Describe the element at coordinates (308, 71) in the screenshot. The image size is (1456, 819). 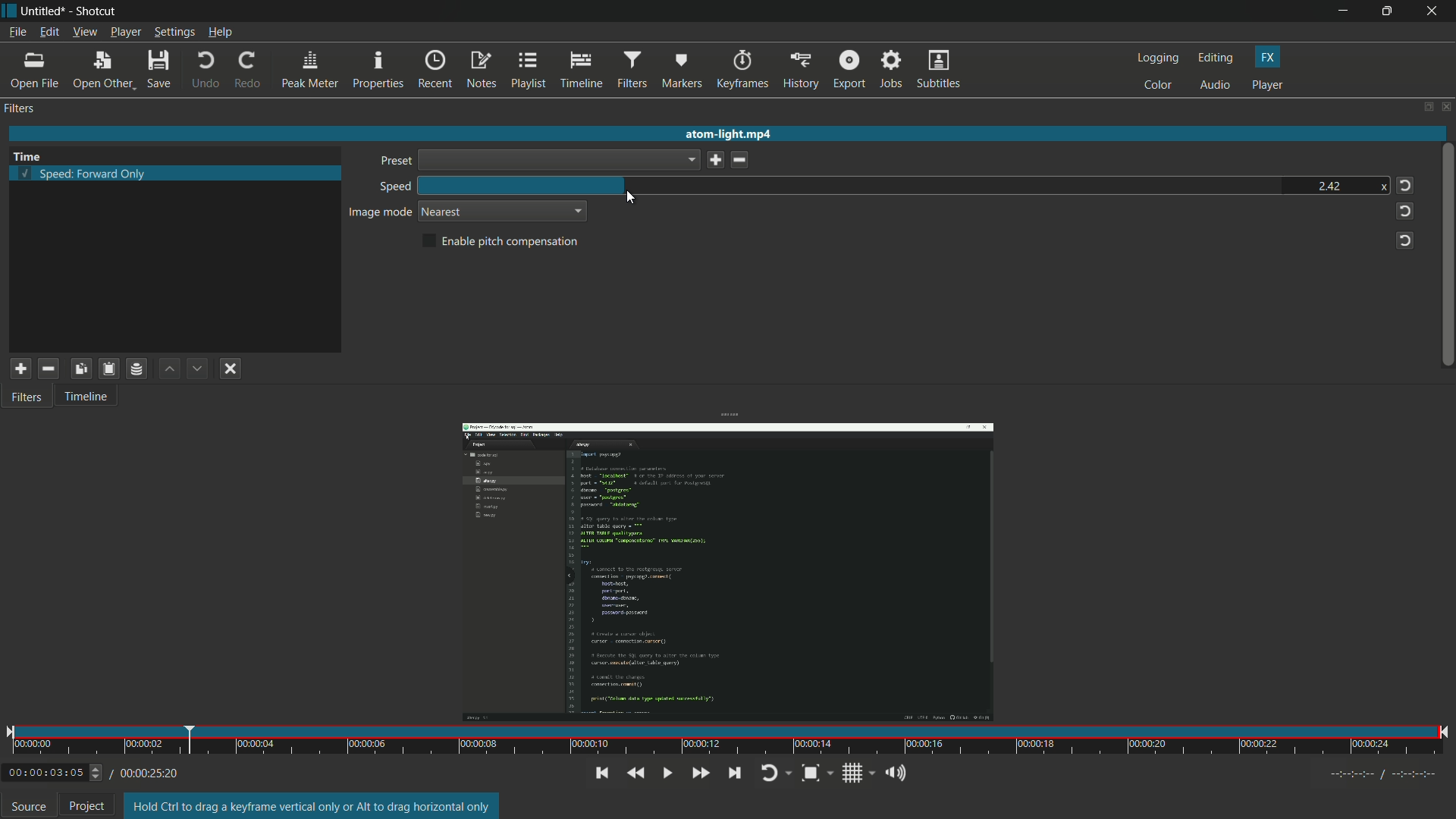
I see `peak meter` at that location.